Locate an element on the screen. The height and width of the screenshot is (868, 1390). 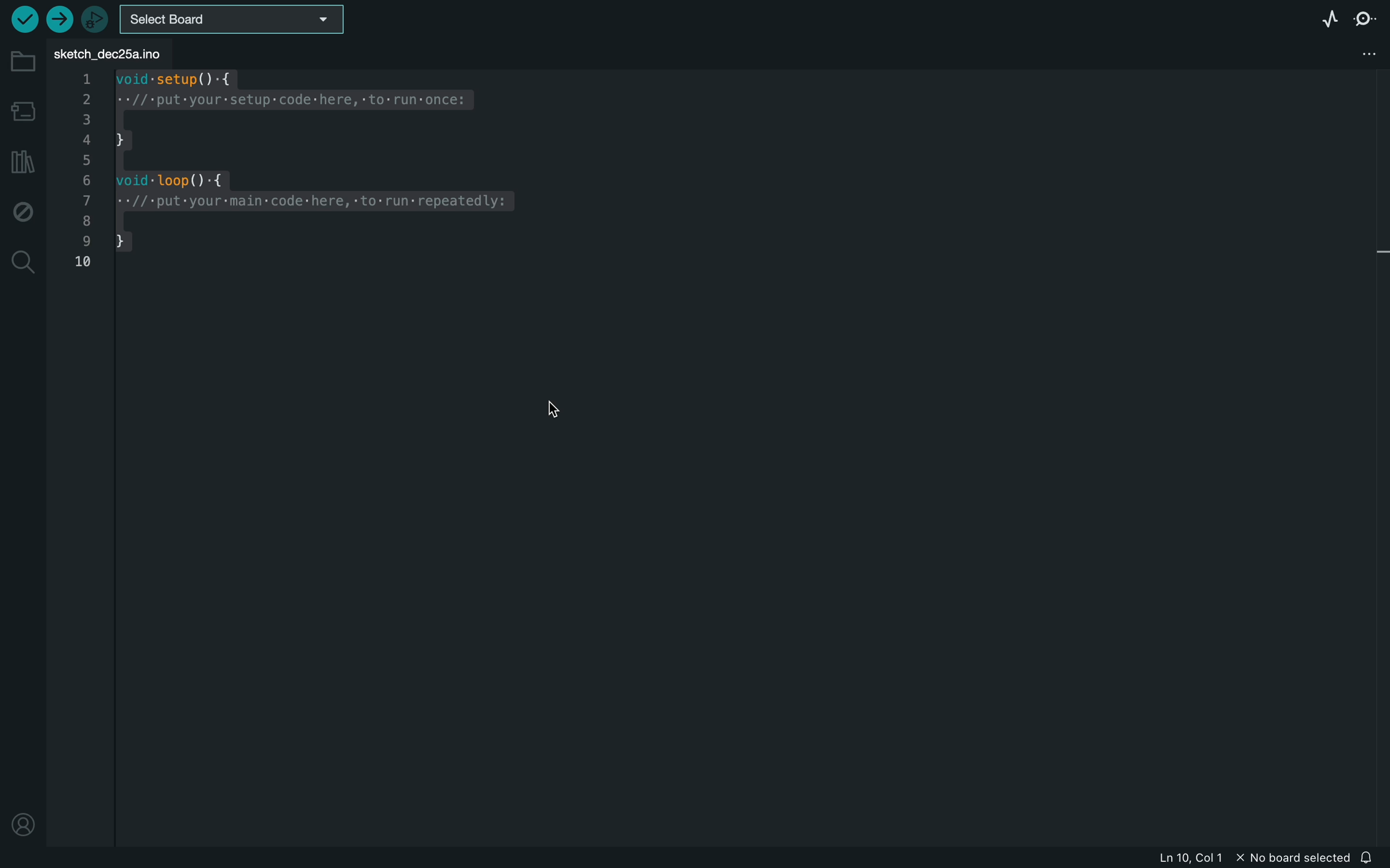
upload is located at coordinates (57, 21).